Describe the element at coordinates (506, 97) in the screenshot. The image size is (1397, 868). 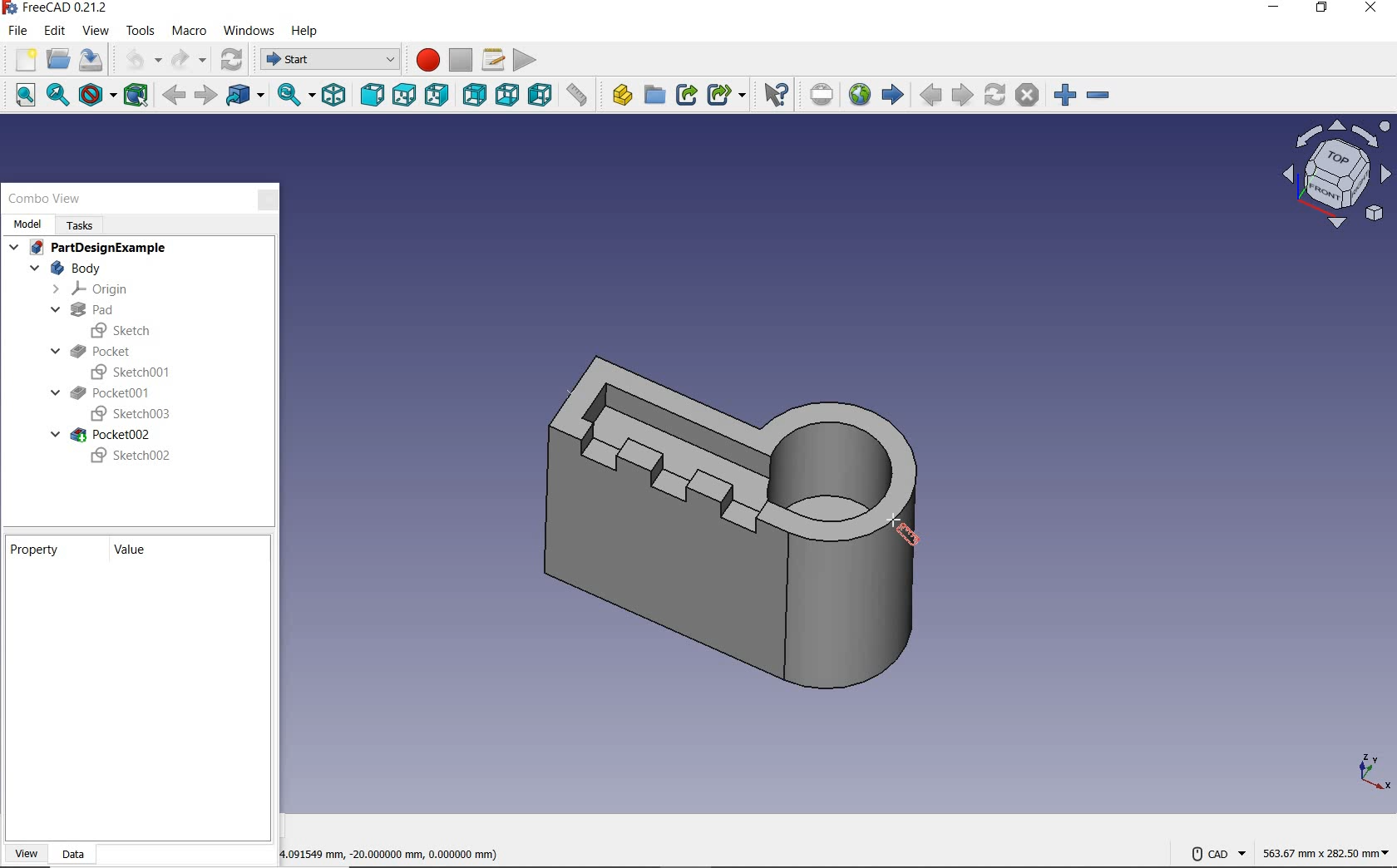
I see `bottom` at that location.